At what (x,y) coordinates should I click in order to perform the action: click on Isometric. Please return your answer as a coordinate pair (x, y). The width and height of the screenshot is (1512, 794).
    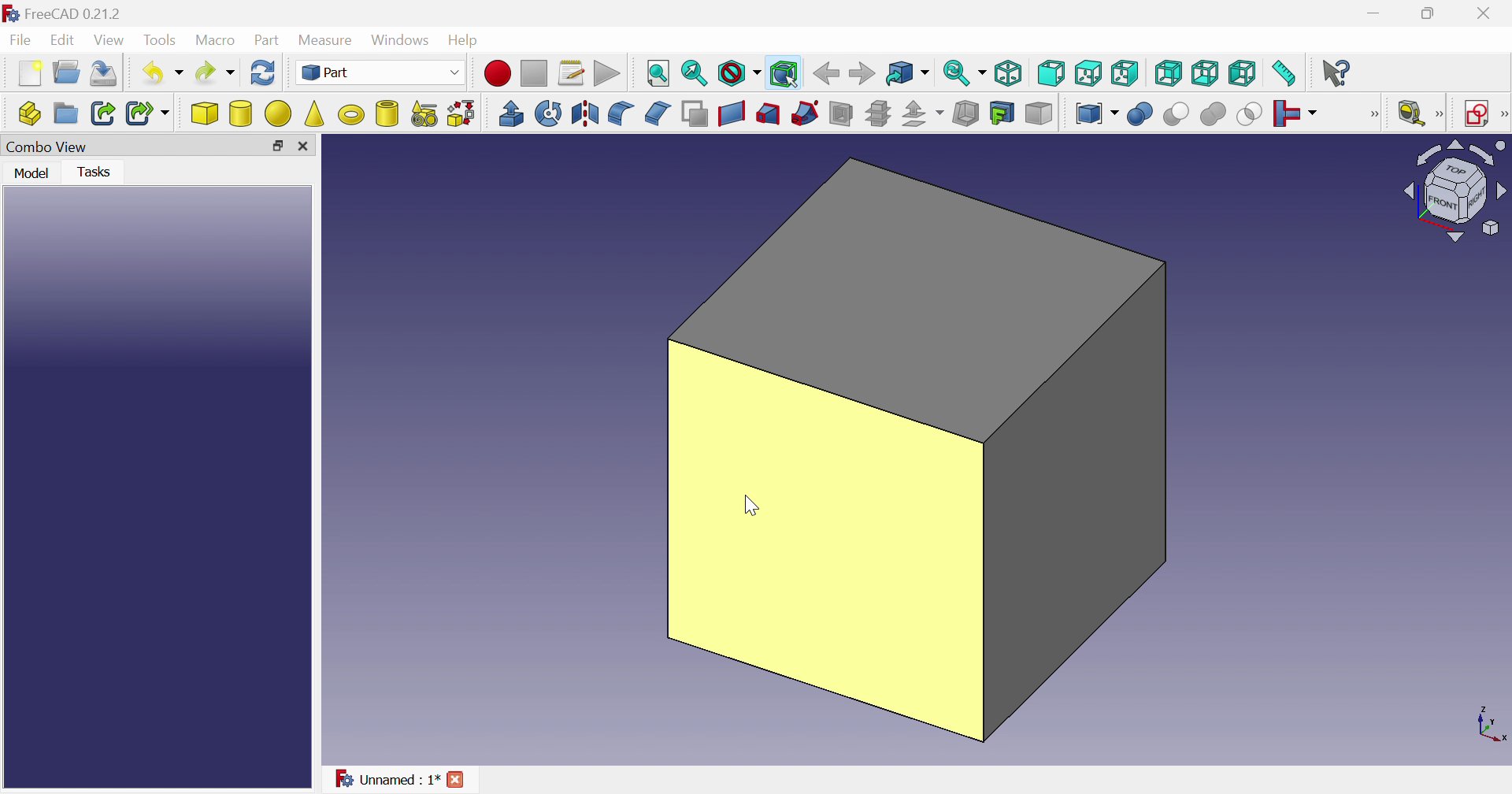
    Looking at the image, I should click on (1011, 72).